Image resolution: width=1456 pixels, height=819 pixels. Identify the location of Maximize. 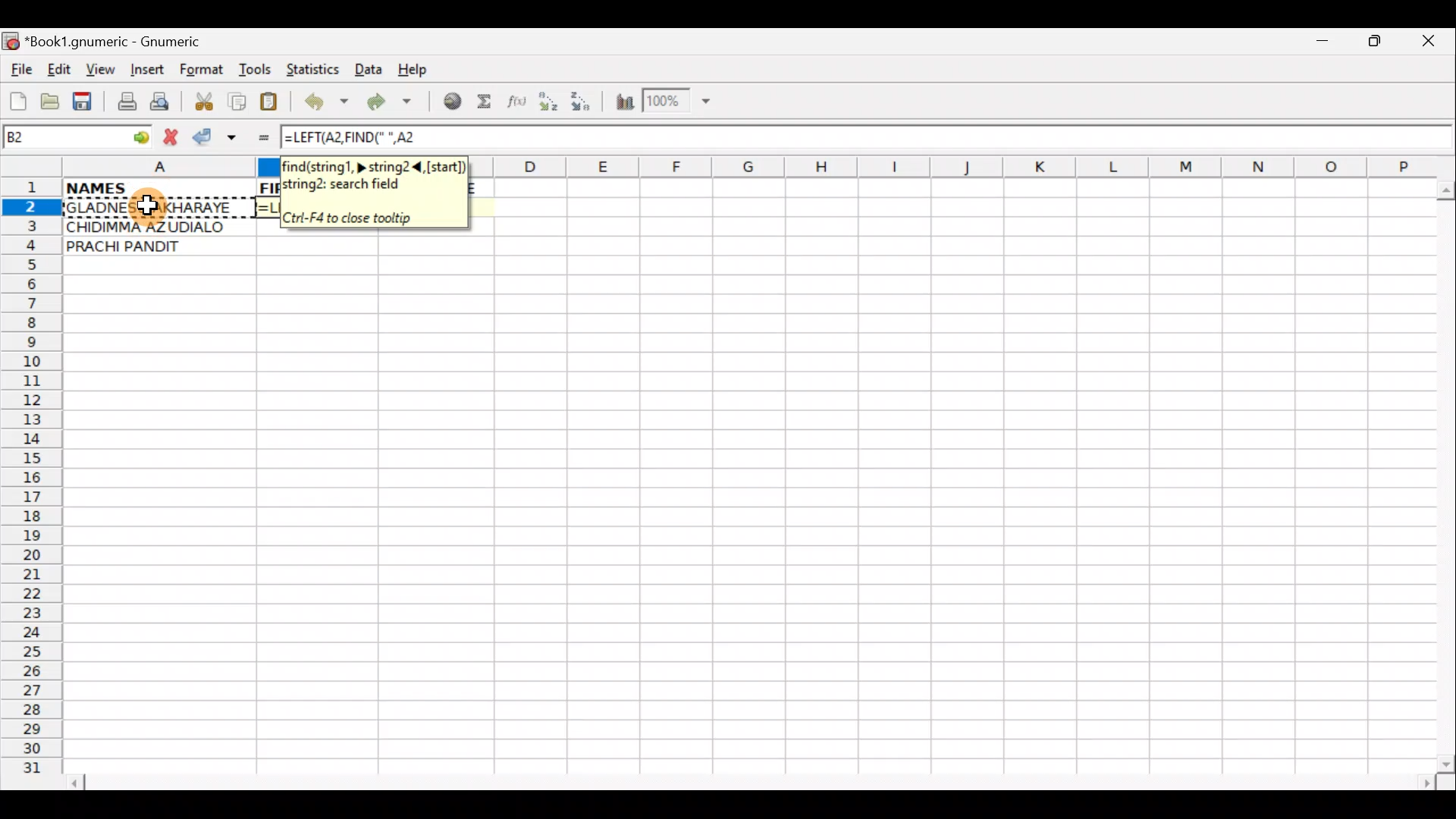
(1377, 44).